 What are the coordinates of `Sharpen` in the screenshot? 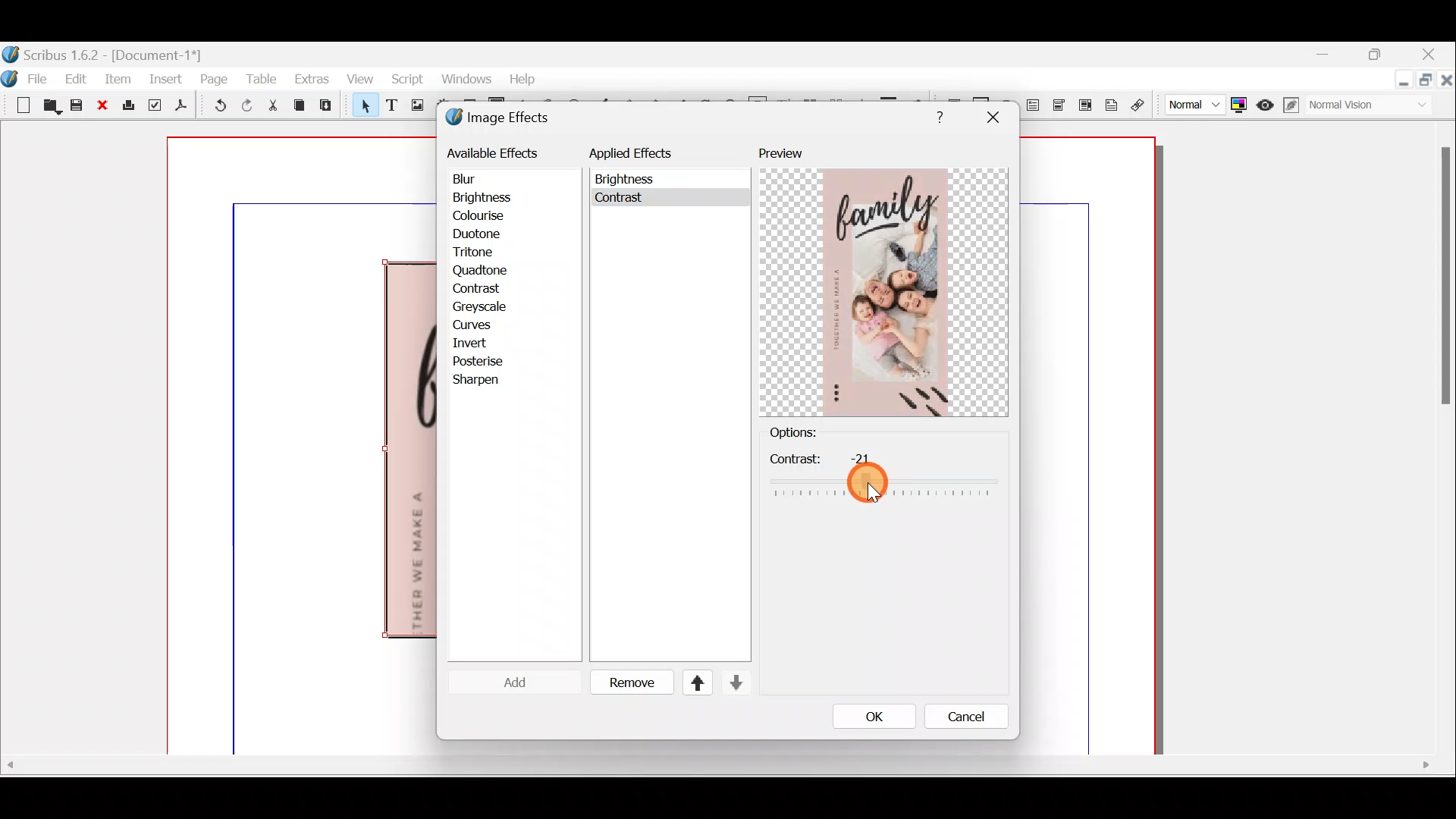 It's located at (484, 381).